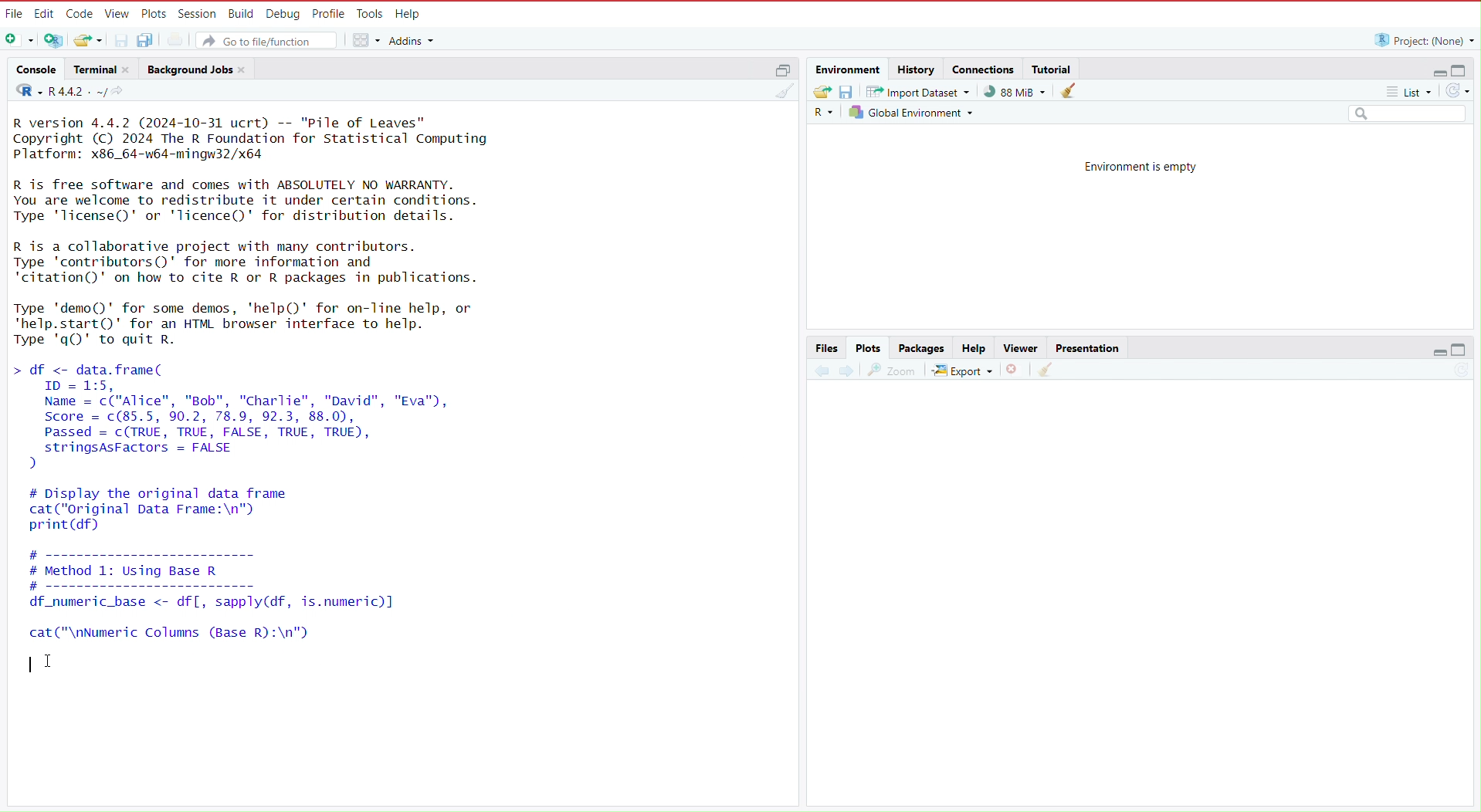 Image resolution: width=1481 pixels, height=812 pixels. I want to click on clear all plots, so click(1046, 371).